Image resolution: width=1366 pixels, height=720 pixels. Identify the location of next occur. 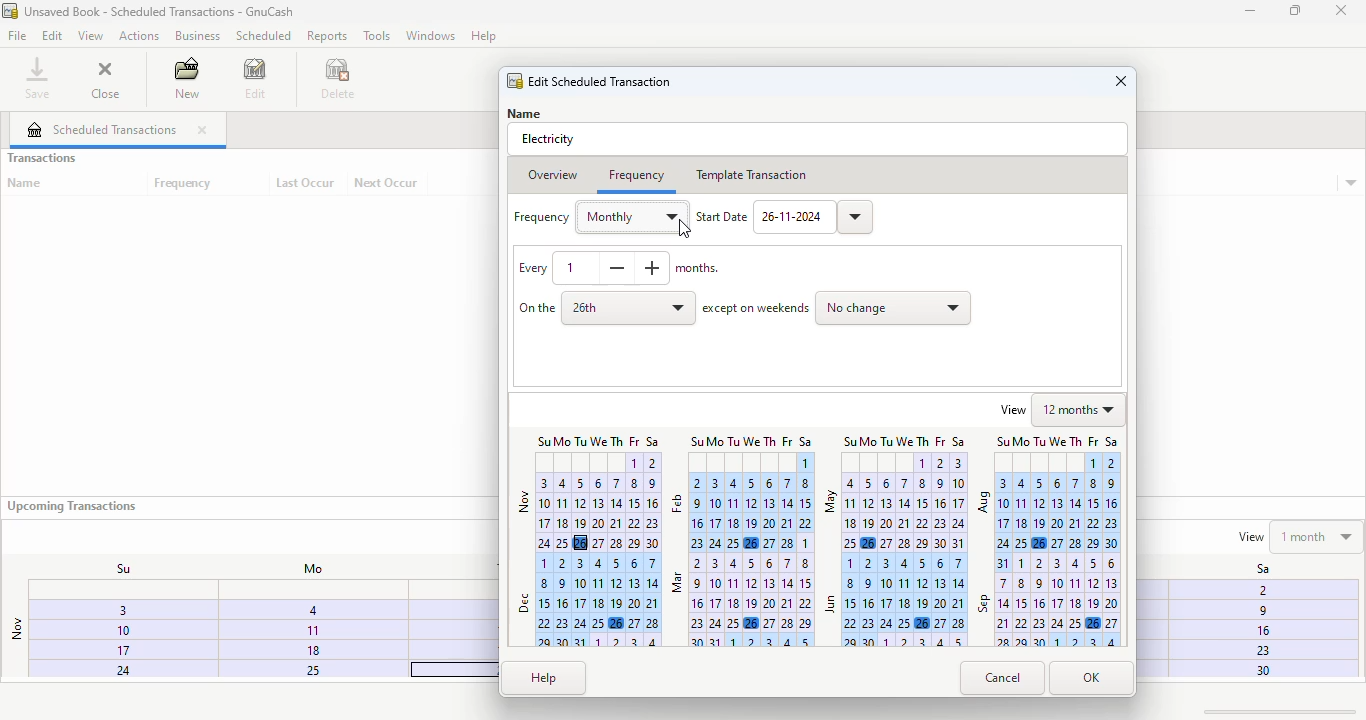
(387, 183).